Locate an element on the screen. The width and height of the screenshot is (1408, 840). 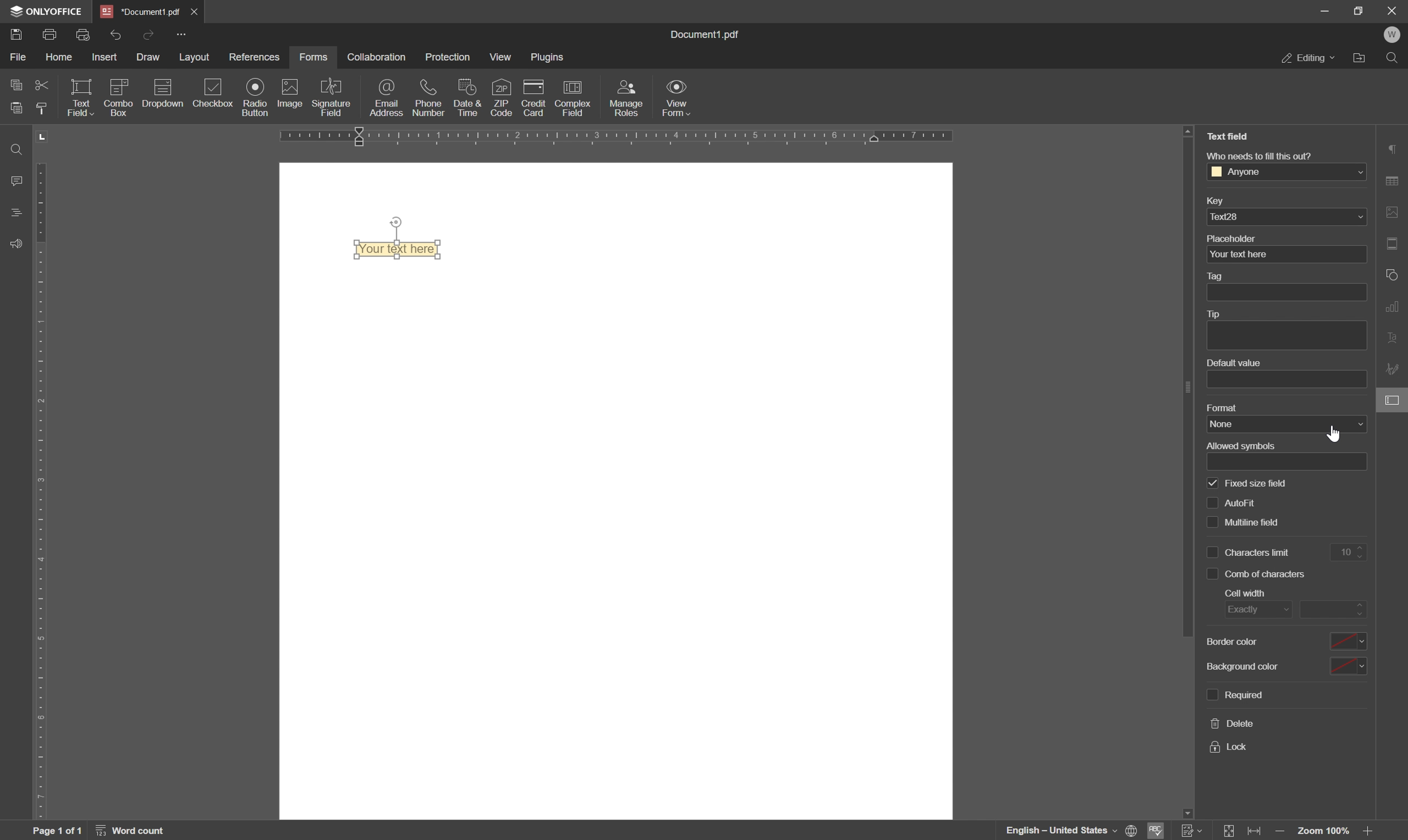
fit to width is located at coordinates (1257, 831).